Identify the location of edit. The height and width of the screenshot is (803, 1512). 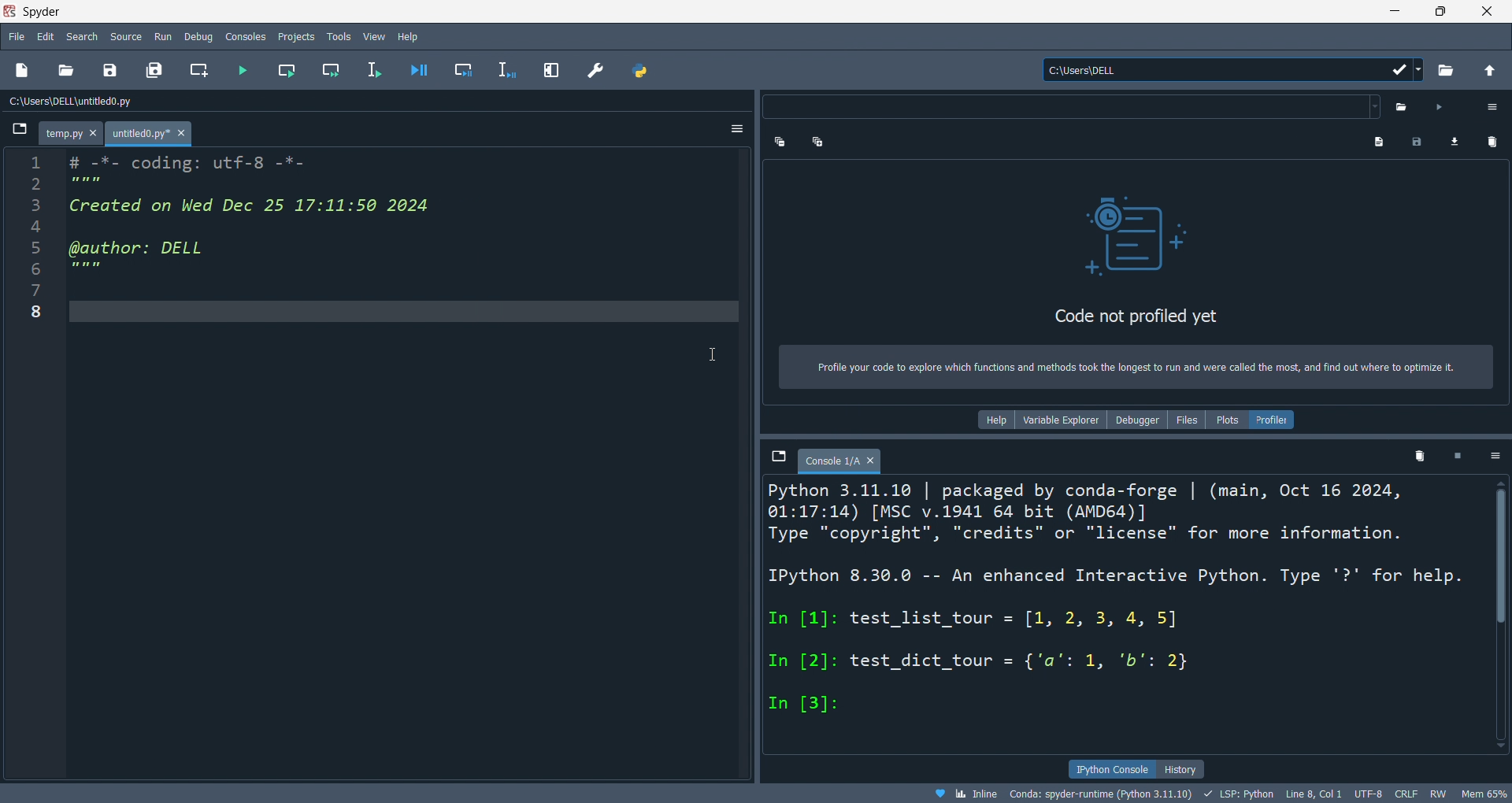
(47, 38).